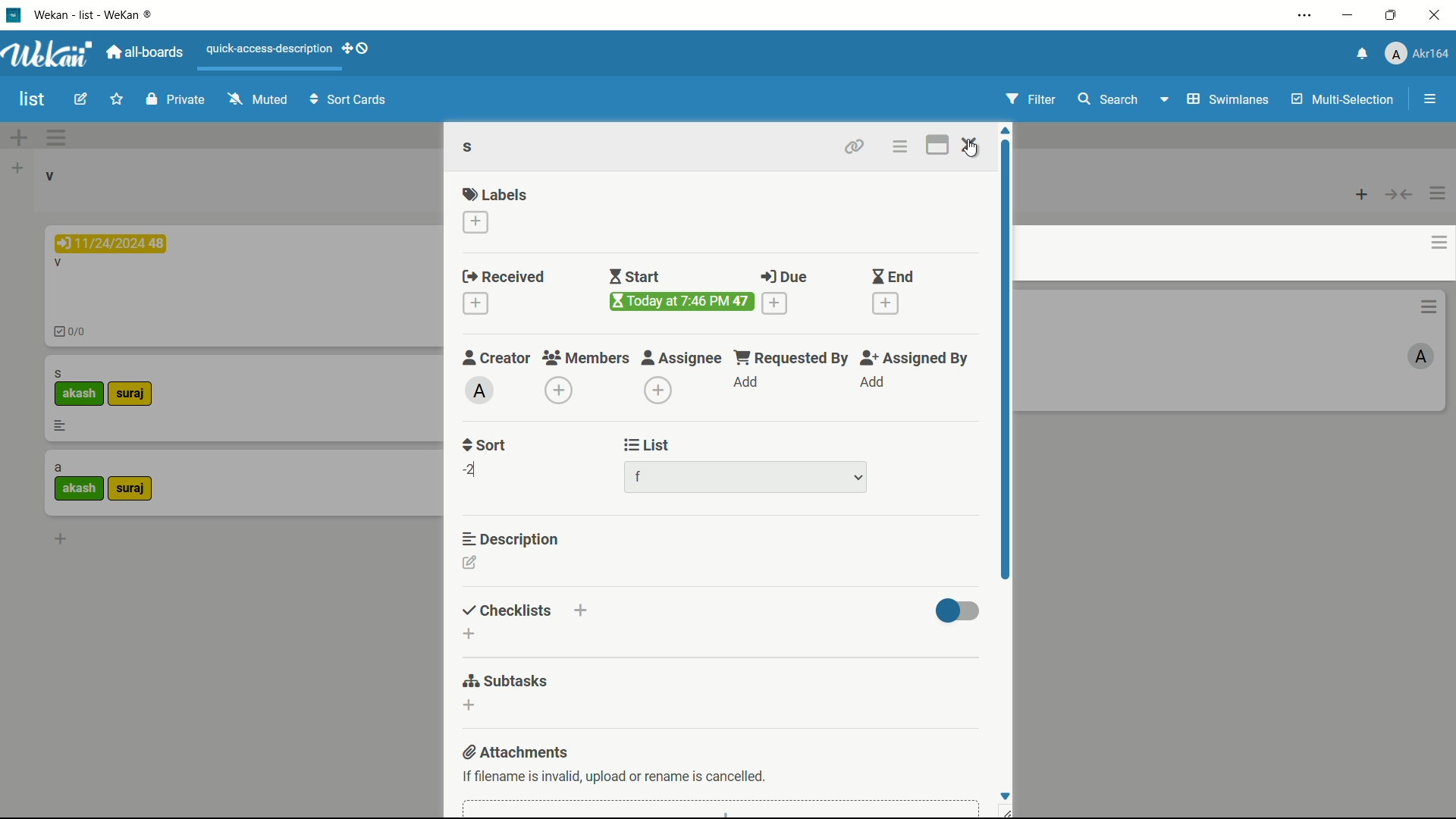  Describe the element at coordinates (1229, 99) in the screenshot. I see `swimlanes` at that location.